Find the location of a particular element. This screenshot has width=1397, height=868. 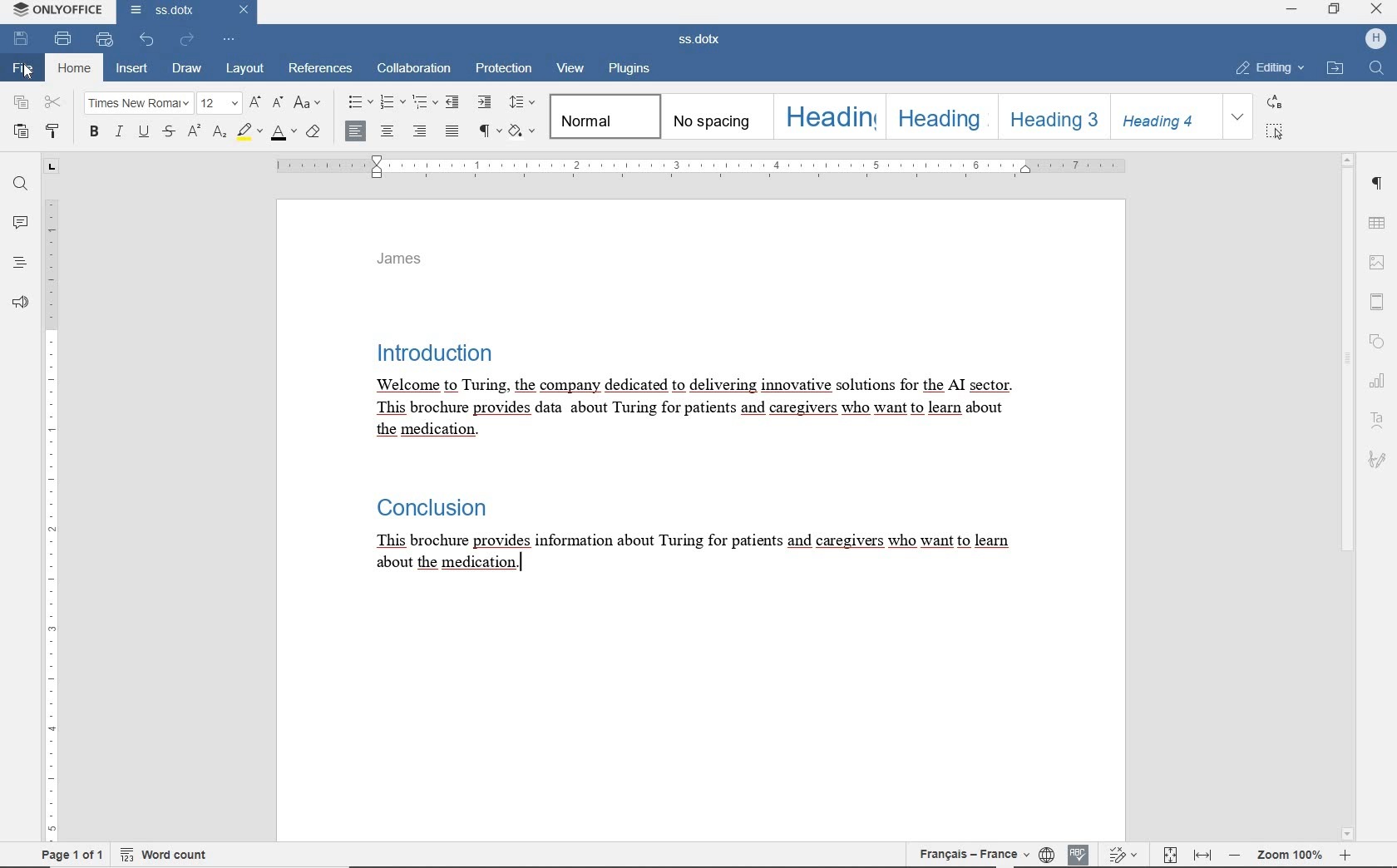

SIGNATURE is located at coordinates (1379, 460).